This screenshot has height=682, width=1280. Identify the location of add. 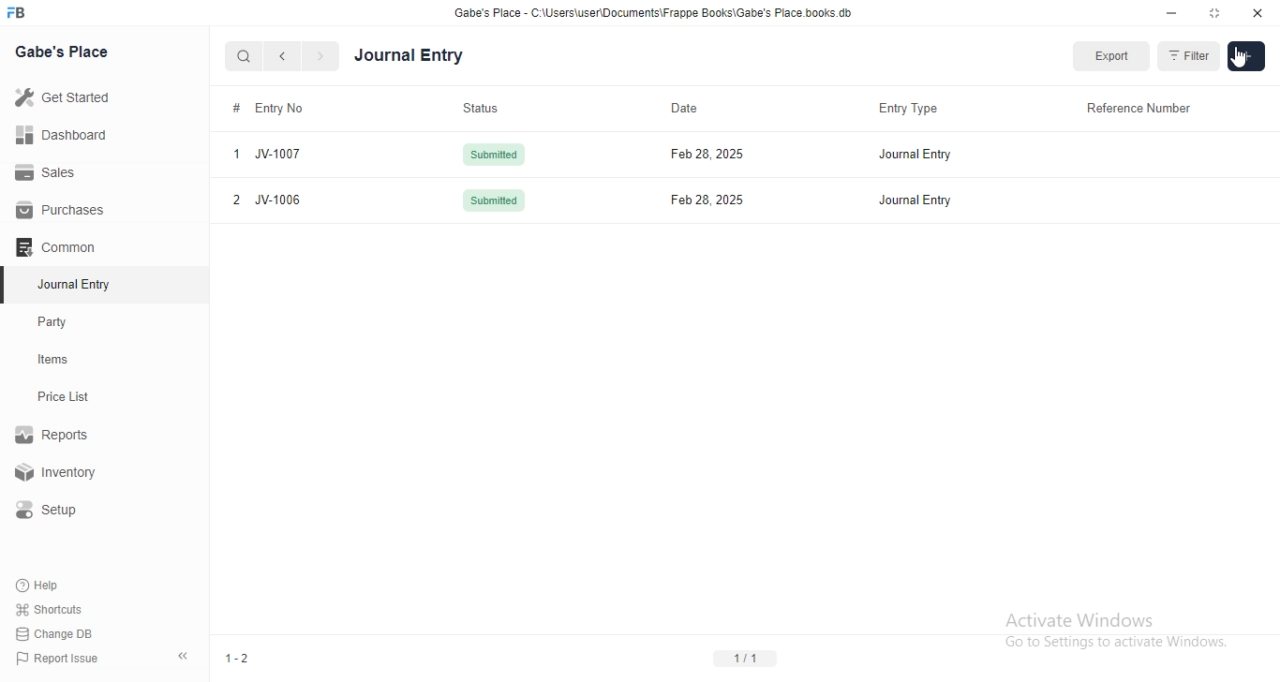
(1246, 58).